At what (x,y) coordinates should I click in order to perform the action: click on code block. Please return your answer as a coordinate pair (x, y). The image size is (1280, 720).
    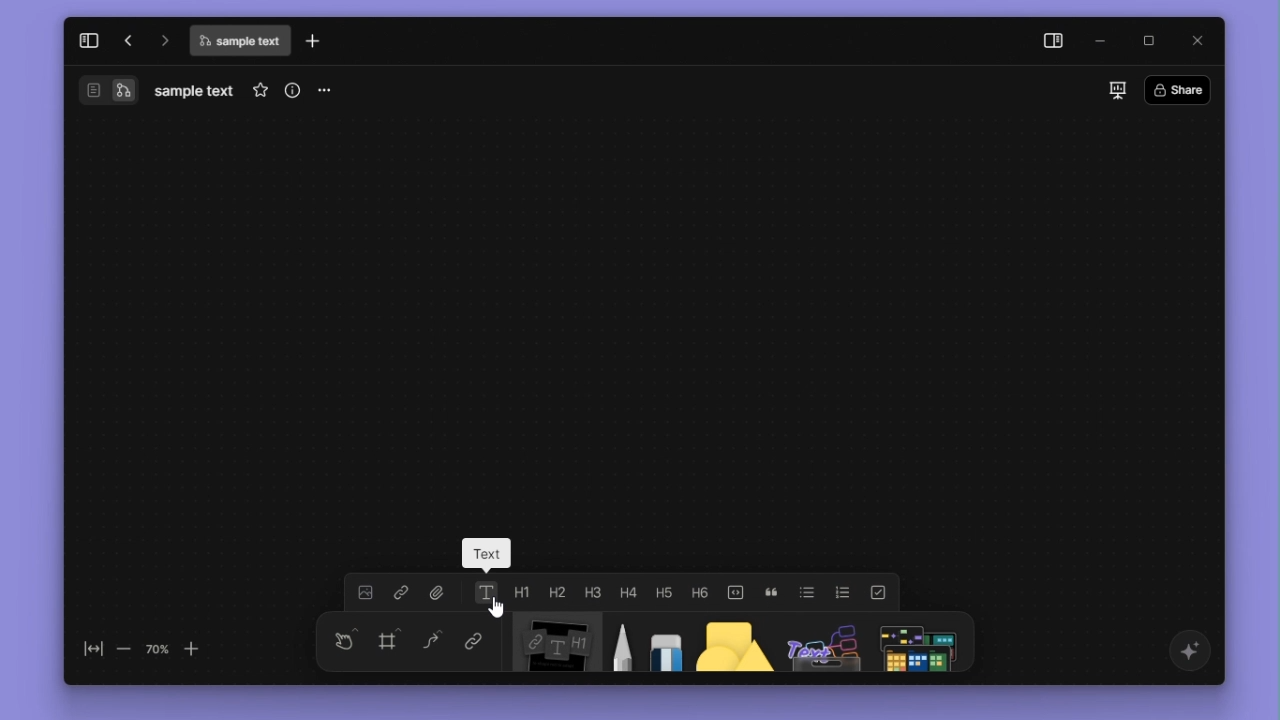
    Looking at the image, I should click on (736, 590).